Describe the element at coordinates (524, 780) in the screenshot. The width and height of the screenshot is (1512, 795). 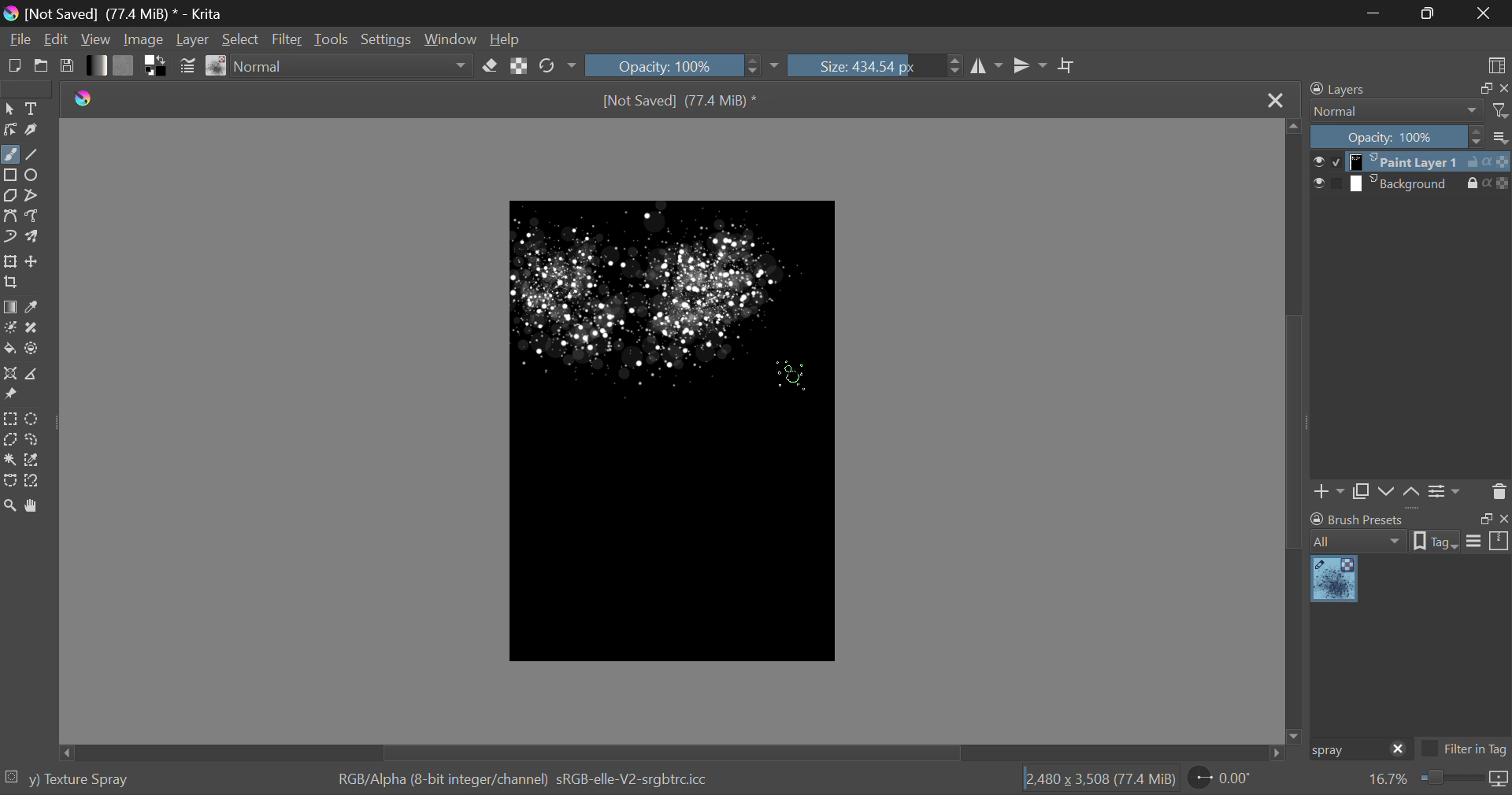
I see `RGB/Alpha (8-bit integer/channel) sRGB-elle-V2-srgbtrcicc` at that location.